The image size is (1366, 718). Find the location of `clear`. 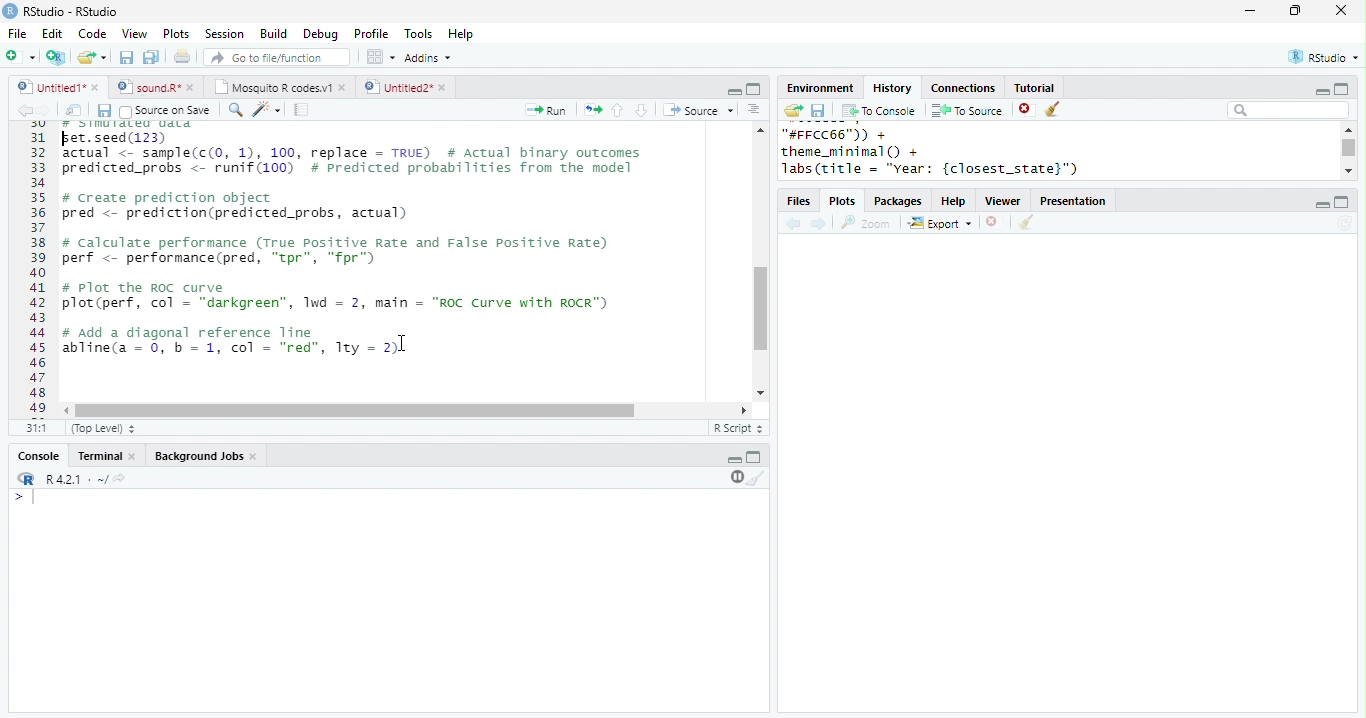

clear is located at coordinates (1026, 223).